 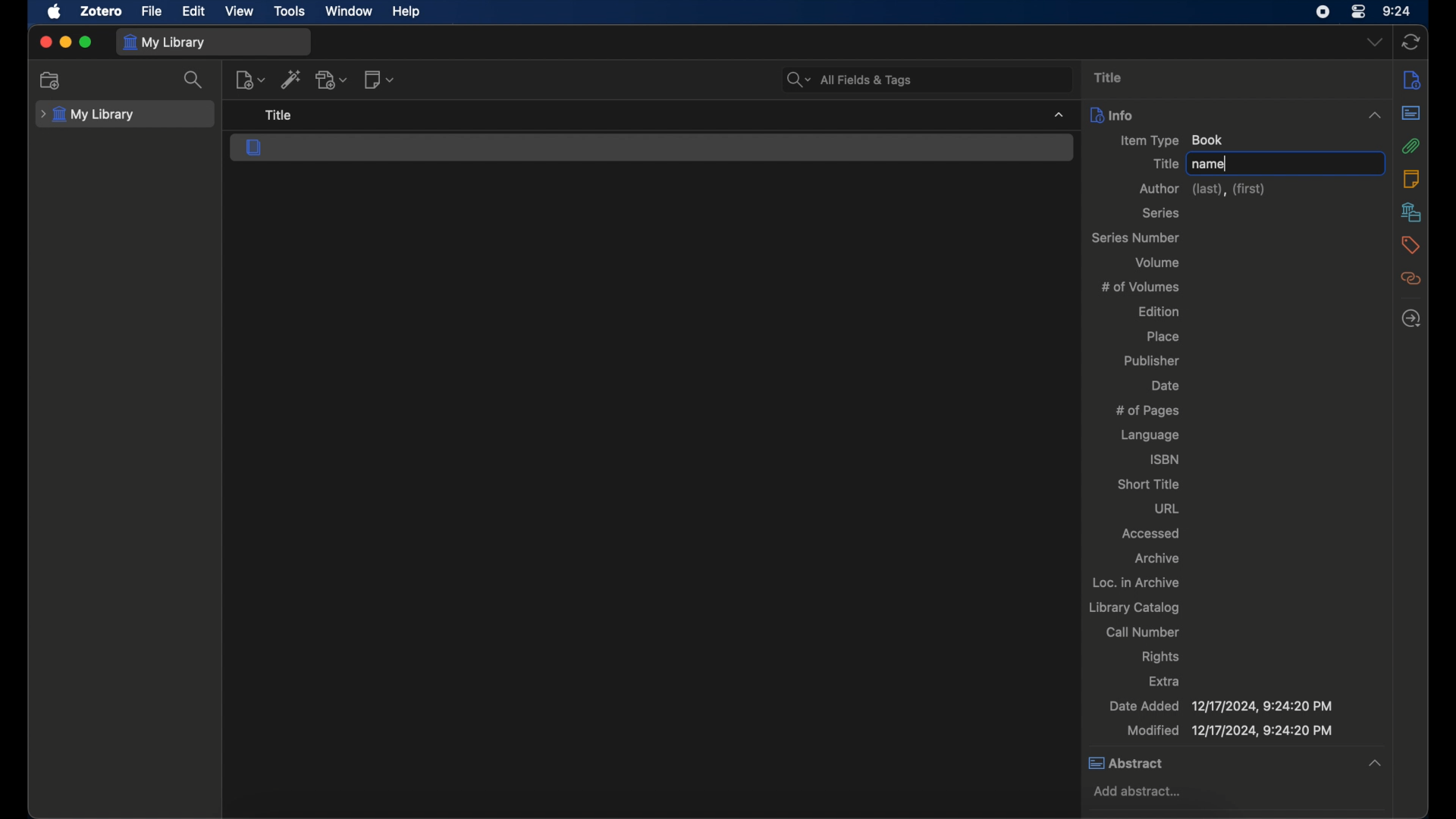 What do you see at coordinates (1411, 42) in the screenshot?
I see `sync` at bounding box center [1411, 42].